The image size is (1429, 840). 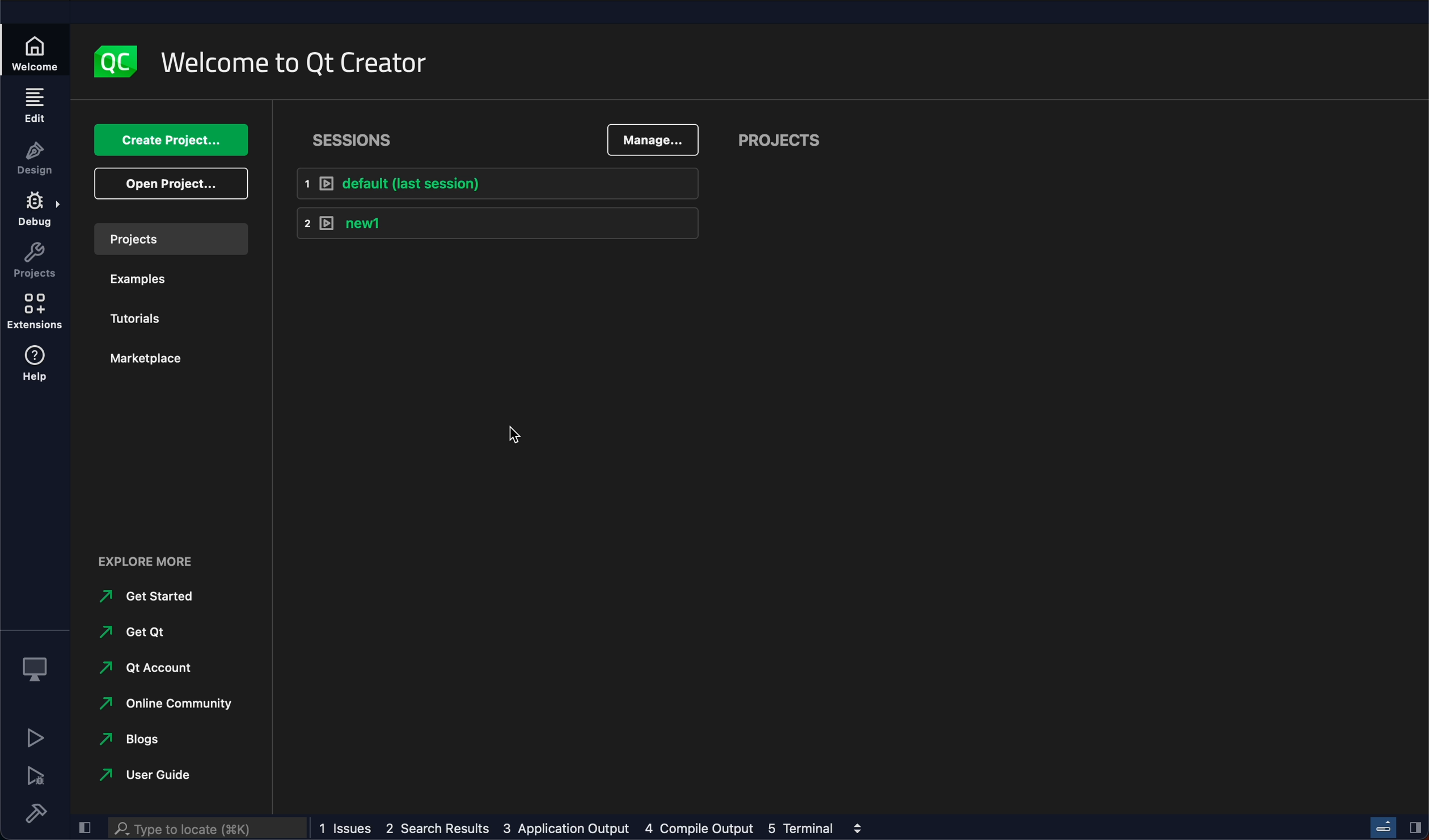 I want to click on debug, so click(x=36, y=211).